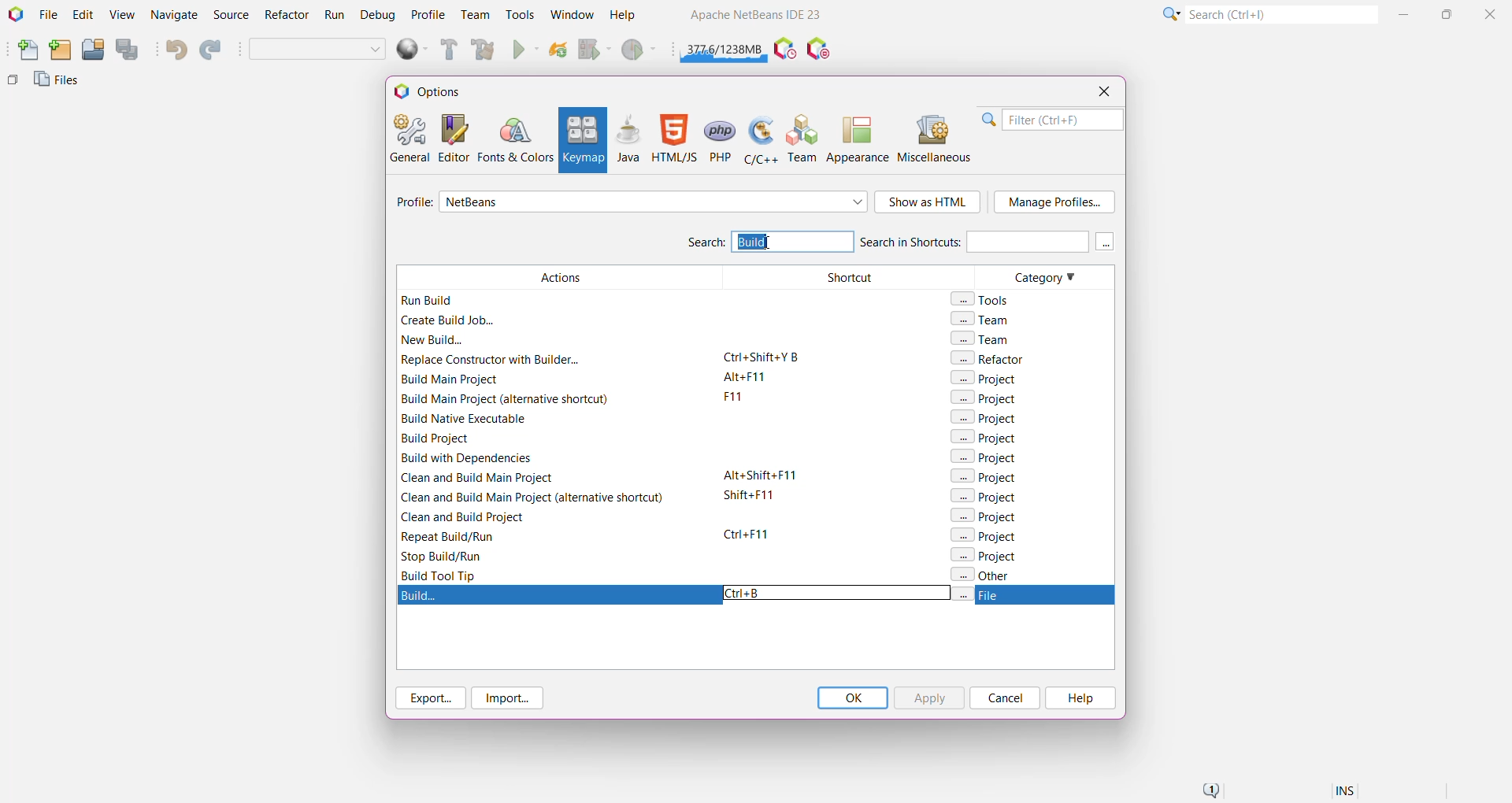  What do you see at coordinates (654, 202) in the screenshot?
I see `Select required profile from the list` at bounding box center [654, 202].